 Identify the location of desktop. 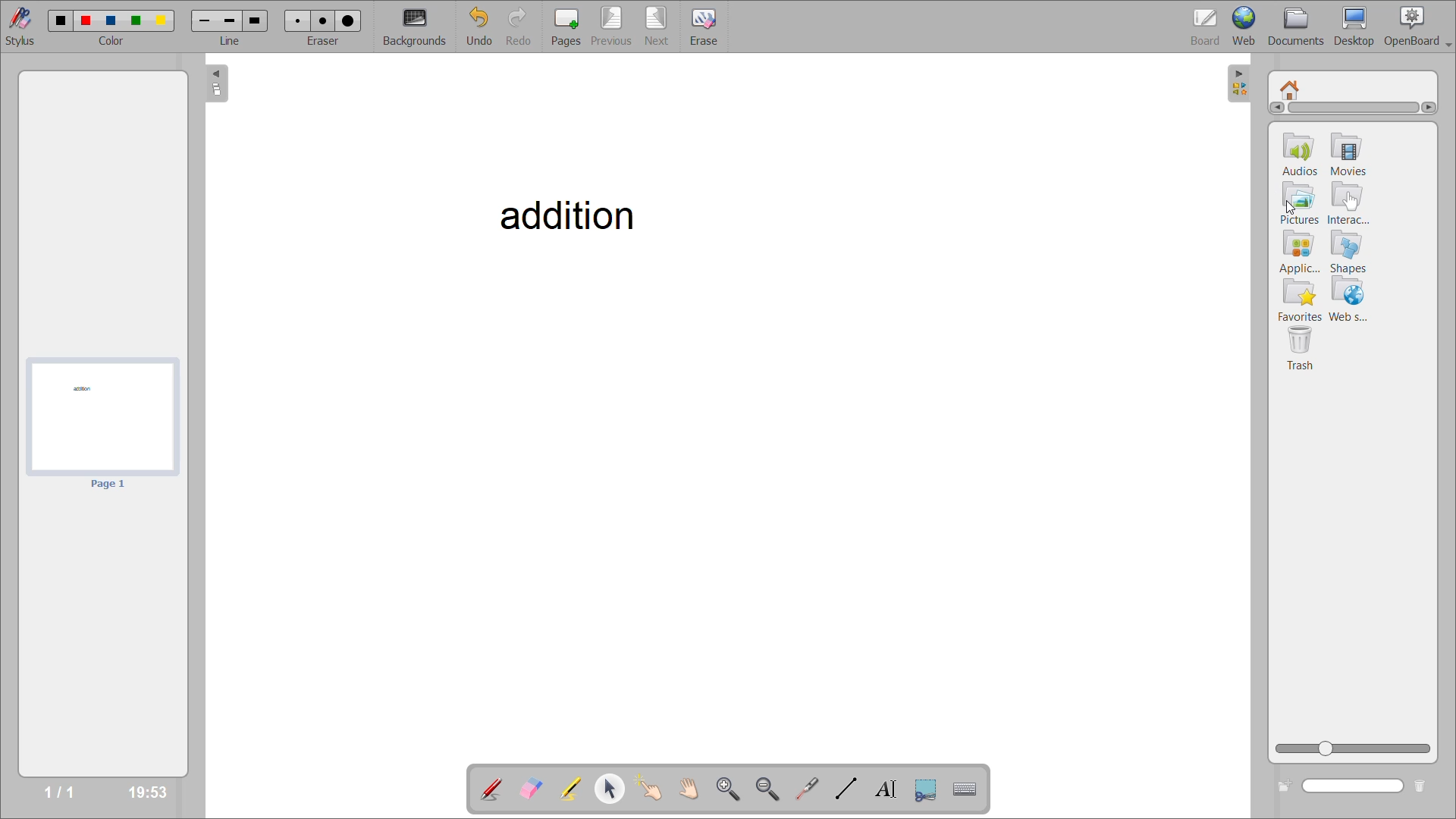
(1359, 27).